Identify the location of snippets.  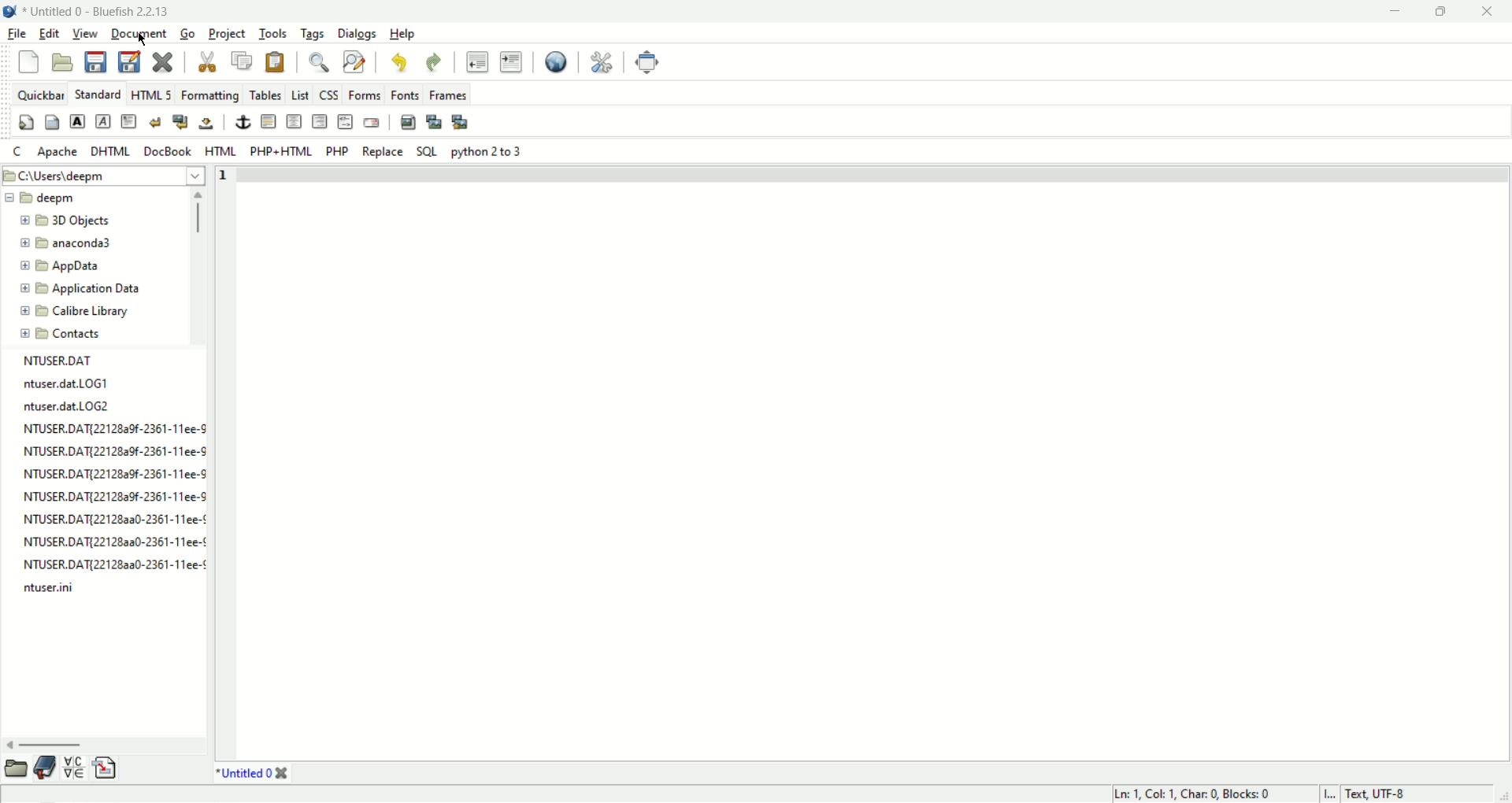
(105, 770).